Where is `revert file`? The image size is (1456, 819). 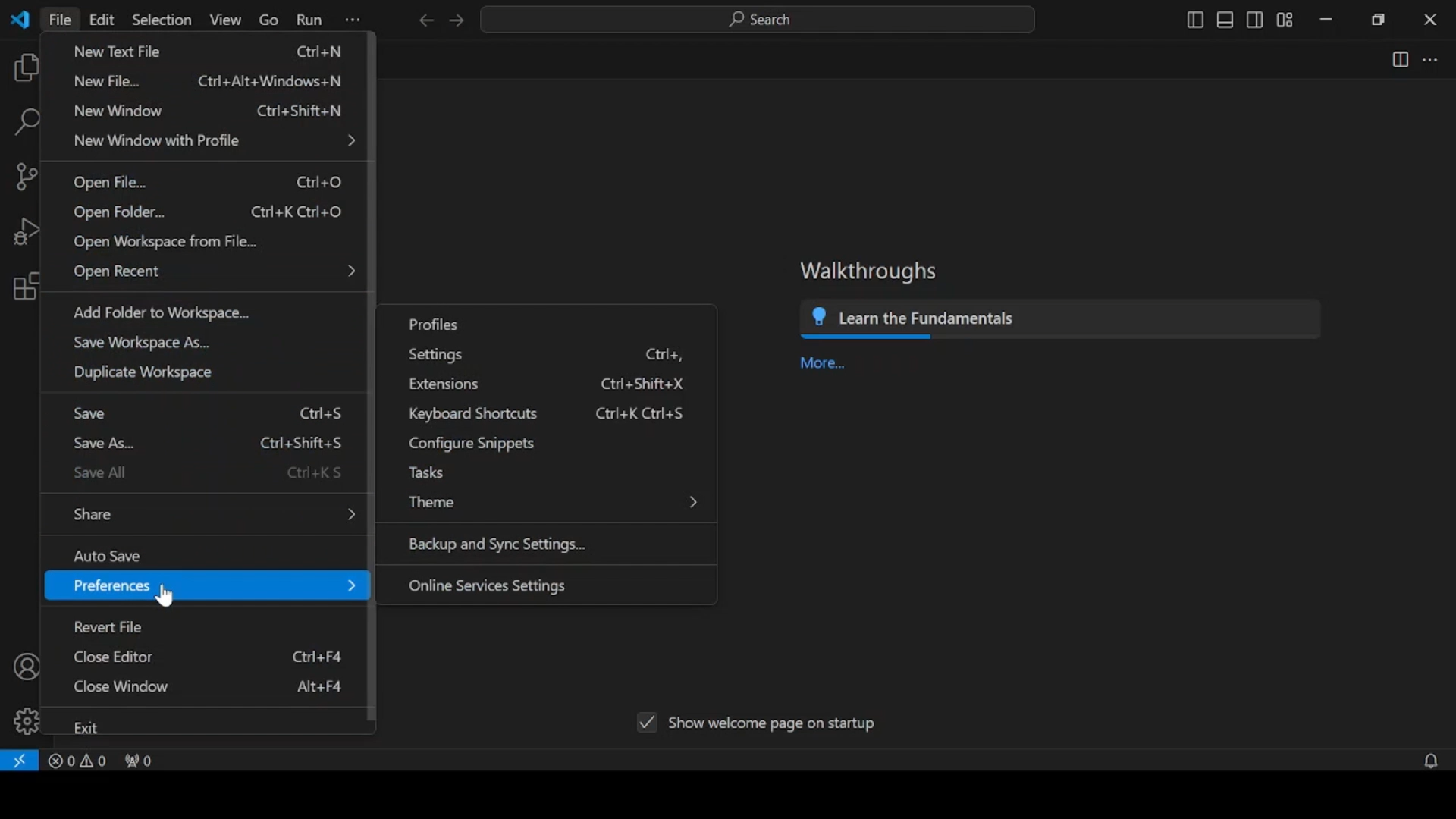
revert file is located at coordinates (109, 627).